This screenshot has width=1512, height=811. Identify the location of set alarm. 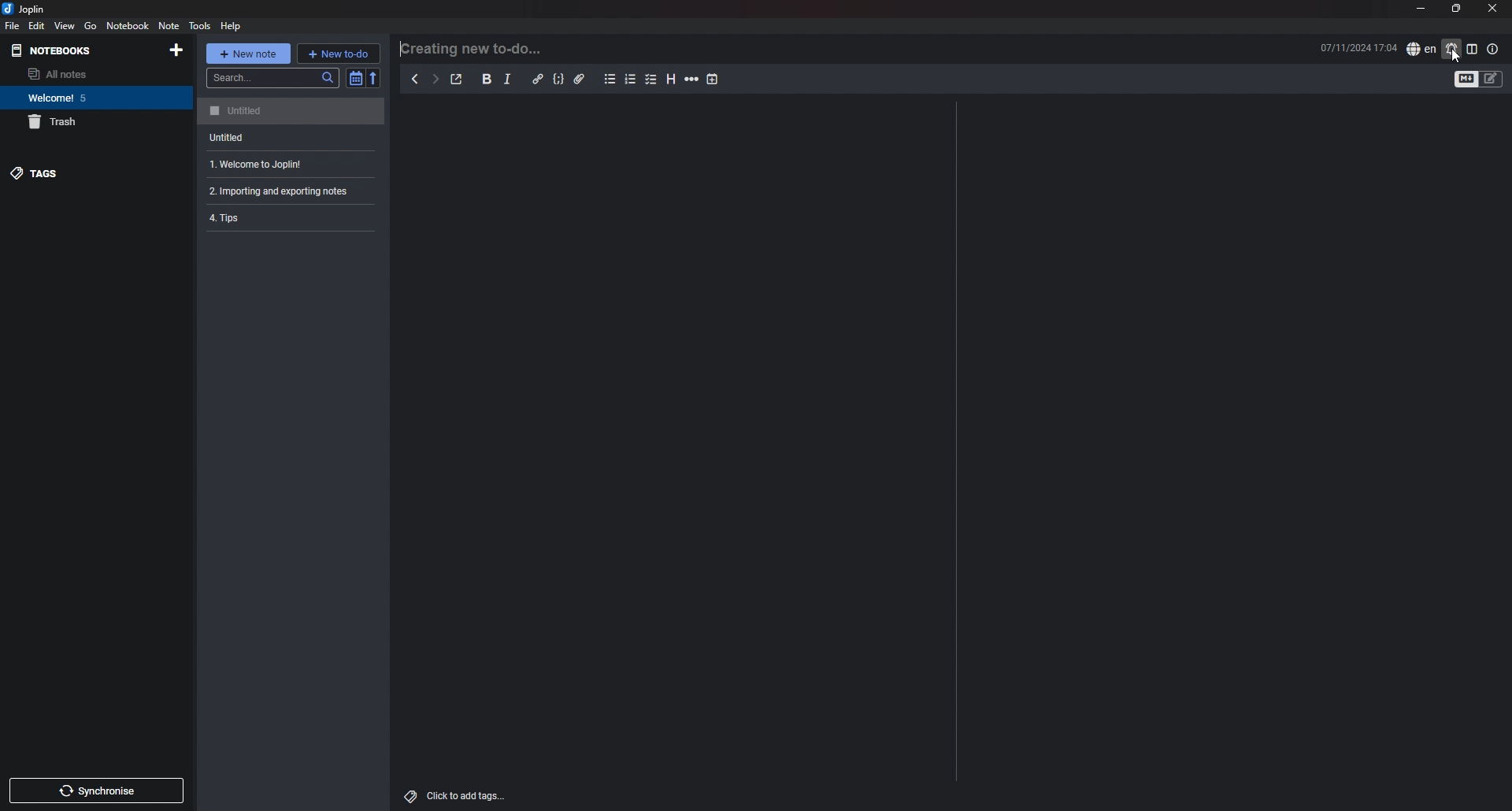
(1452, 48).